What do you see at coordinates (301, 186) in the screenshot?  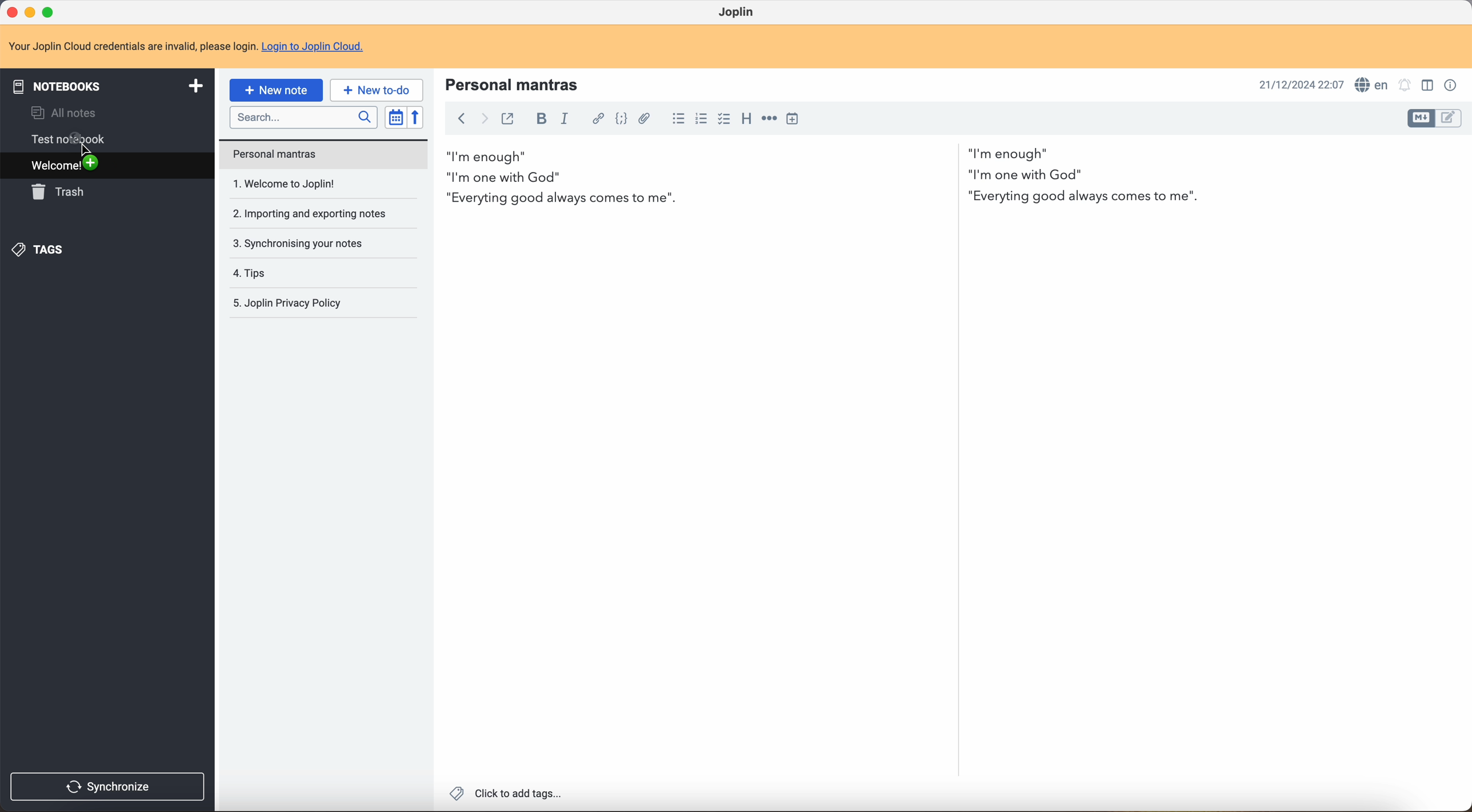 I see `welcome to Joplin note` at bounding box center [301, 186].